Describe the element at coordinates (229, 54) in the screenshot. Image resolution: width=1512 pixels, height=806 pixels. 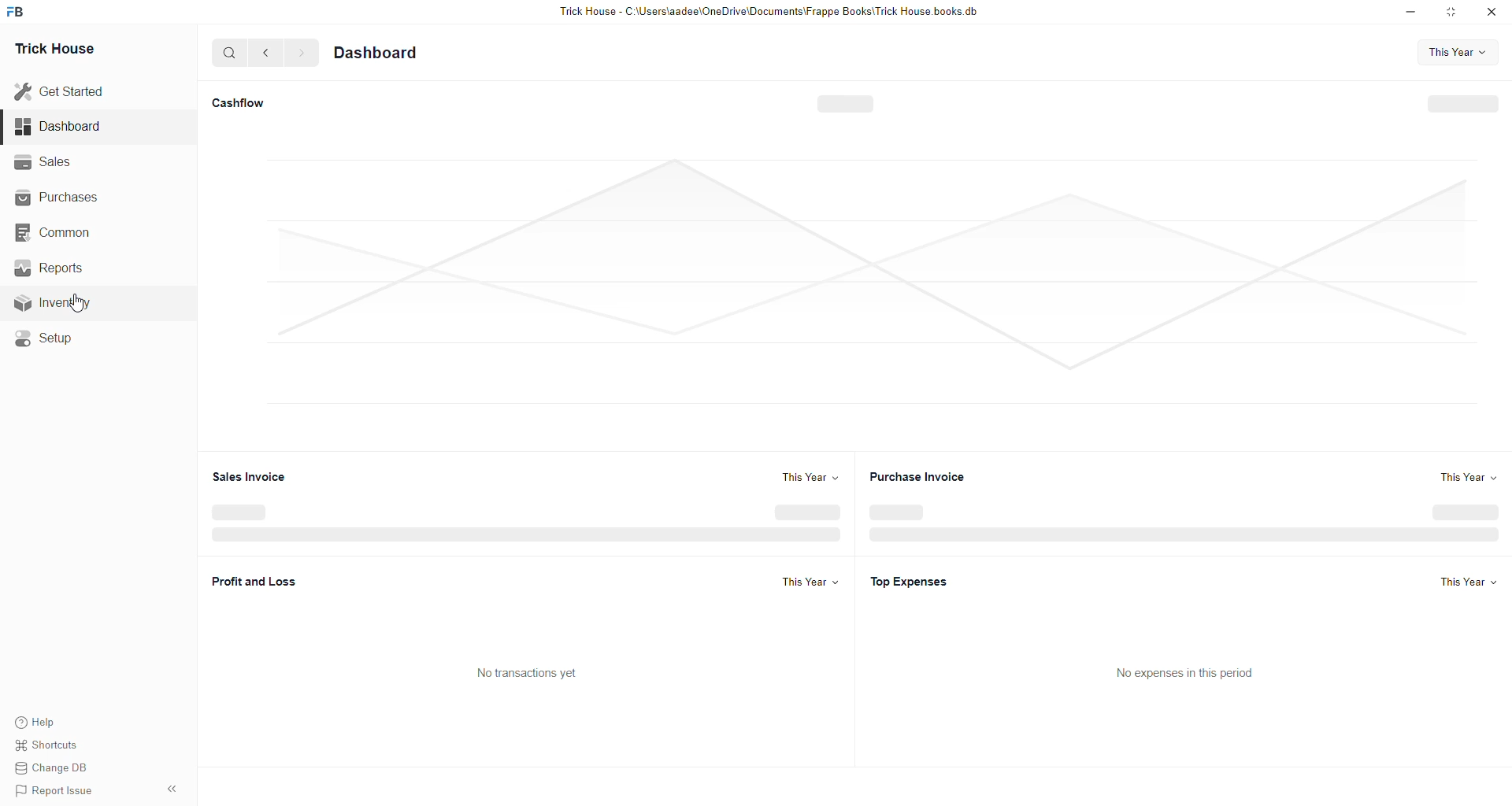
I see `Search` at that location.